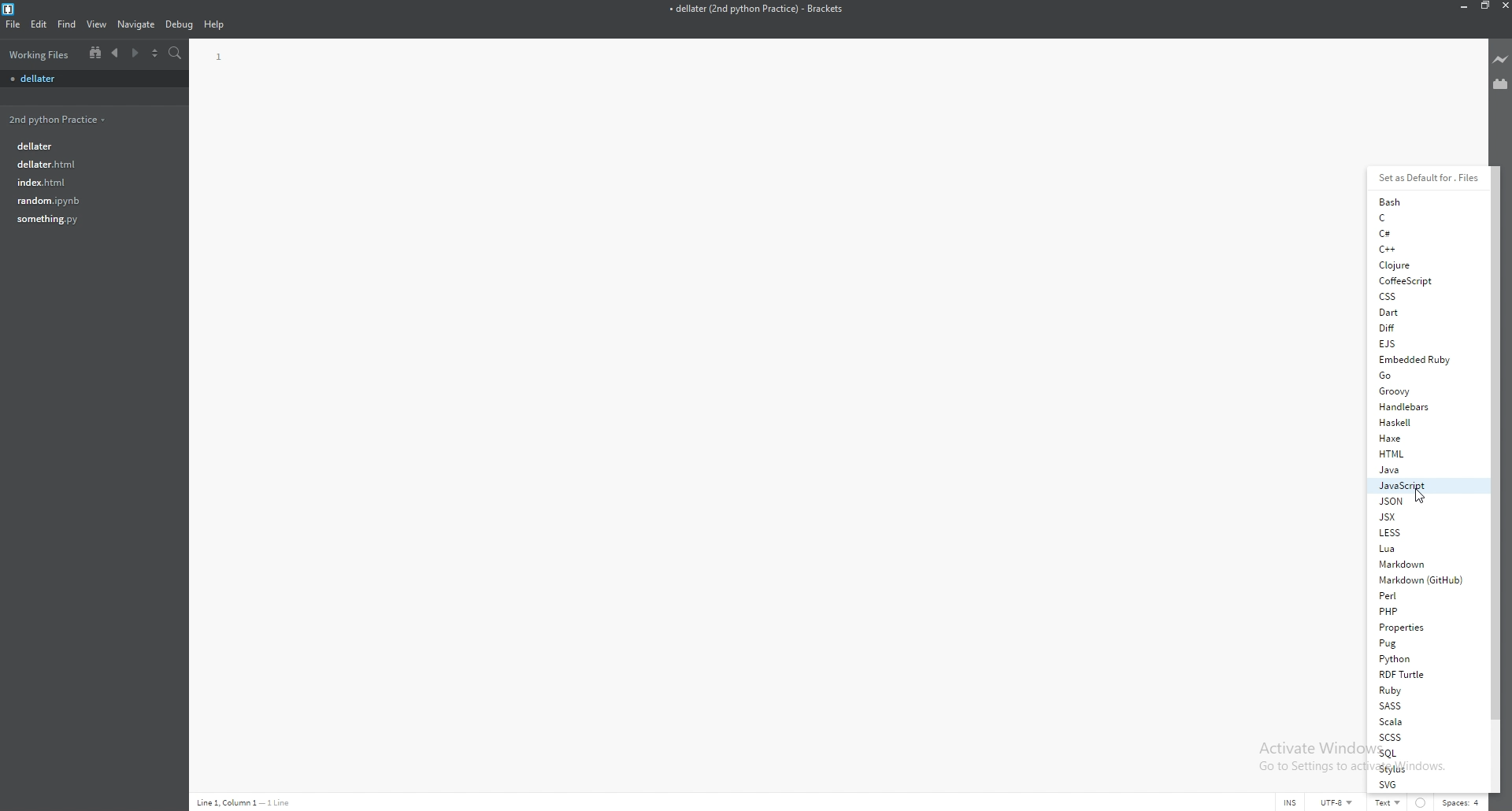 The height and width of the screenshot is (811, 1512). What do you see at coordinates (1496, 442) in the screenshot?
I see `scroll bar` at bounding box center [1496, 442].